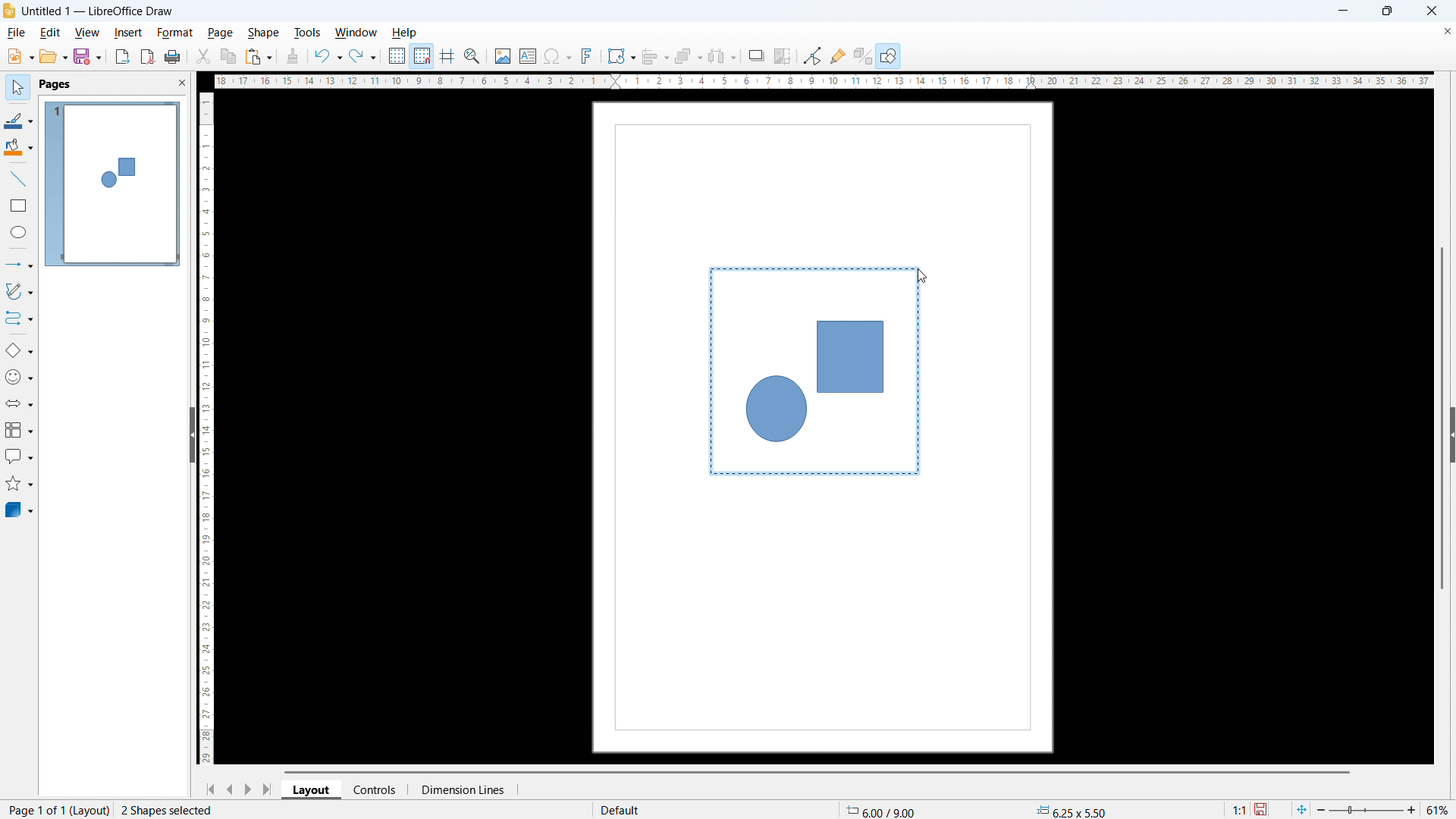 This screenshot has height=819, width=1456. Describe the element at coordinates (1369, 810) in the screenshot. I see `zoom slider` at that location.